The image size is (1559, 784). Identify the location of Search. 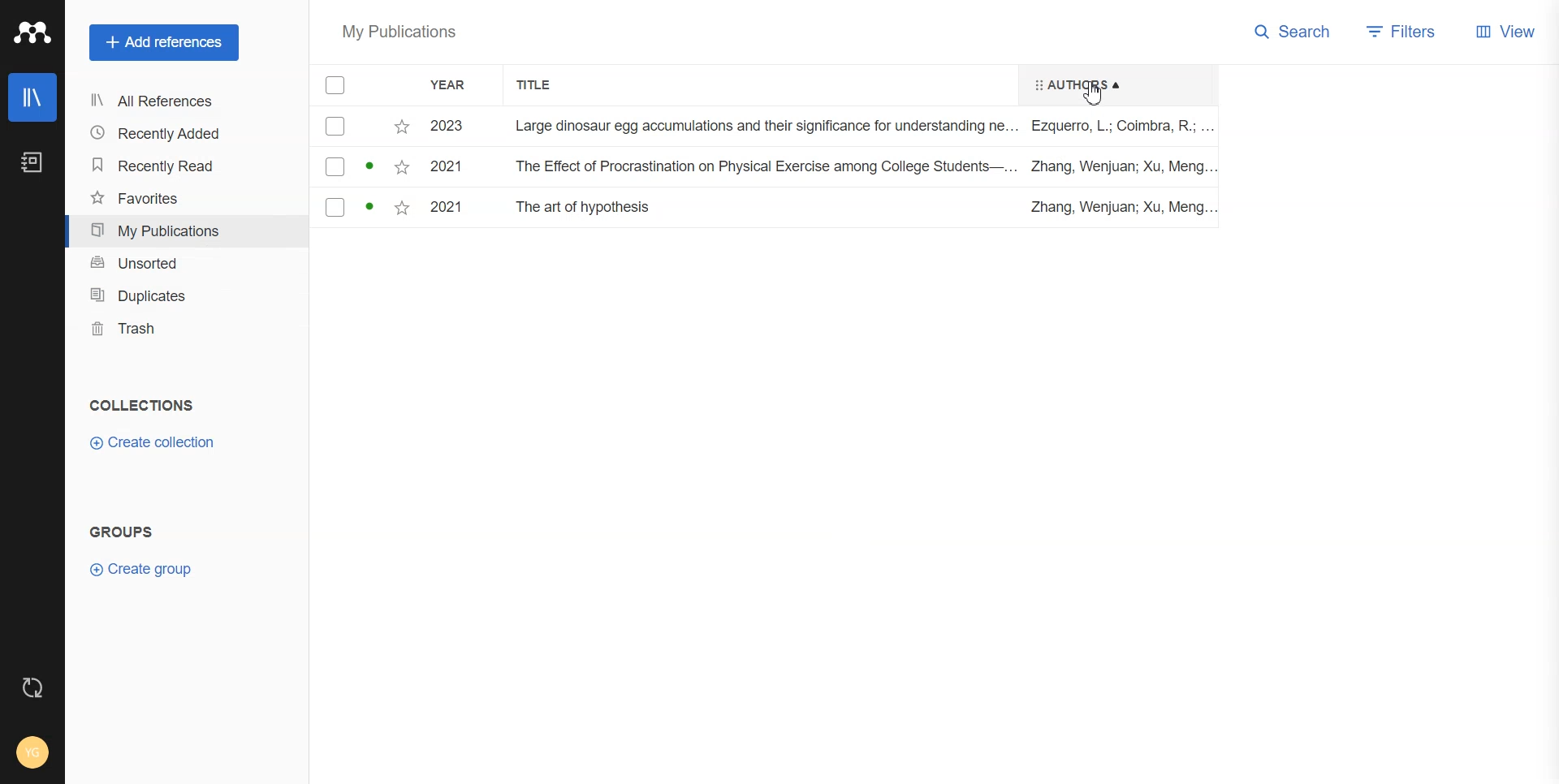
(1294, 31).